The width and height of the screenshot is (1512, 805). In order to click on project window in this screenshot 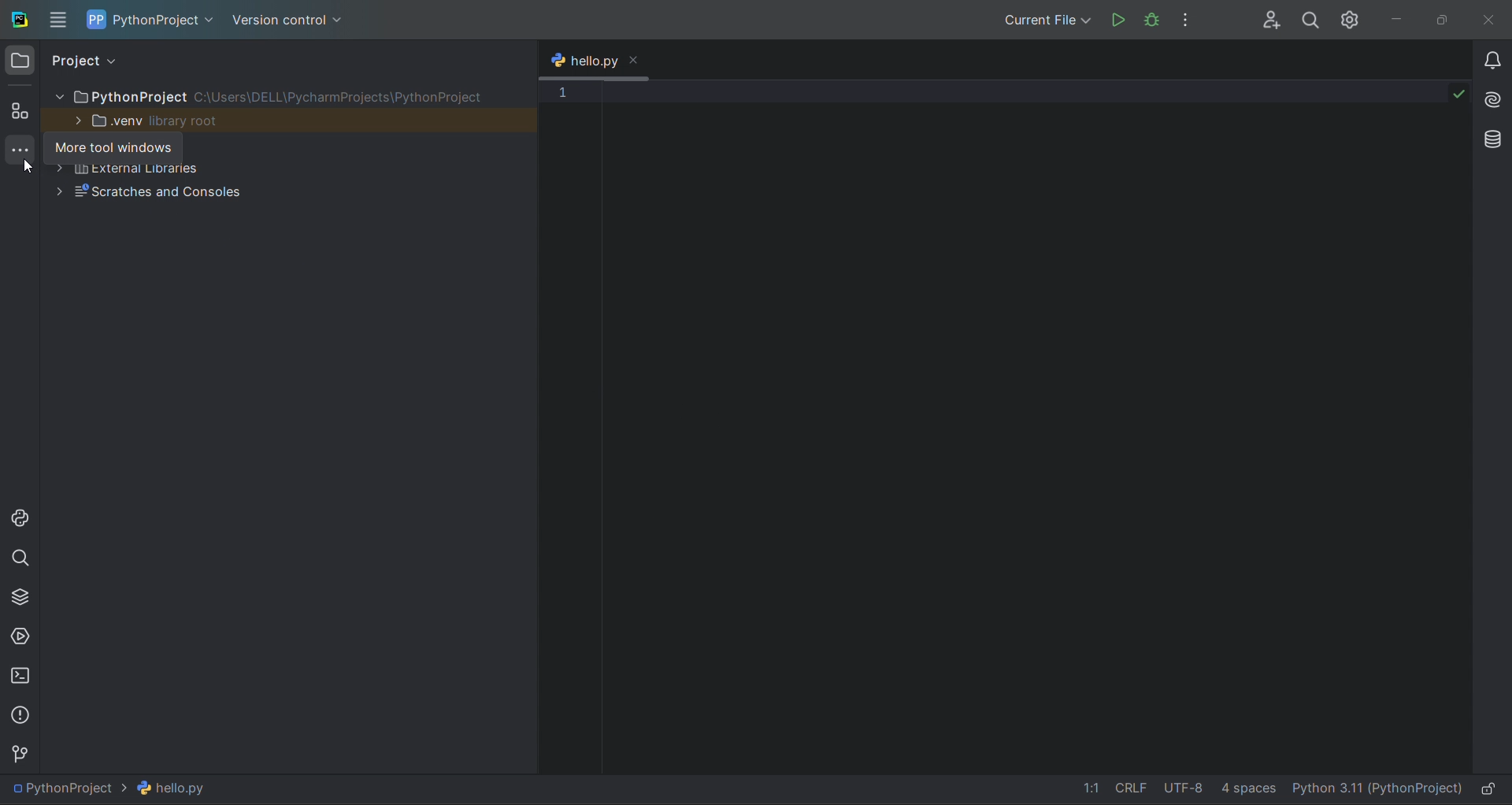, I will do `click(22, 61)`.